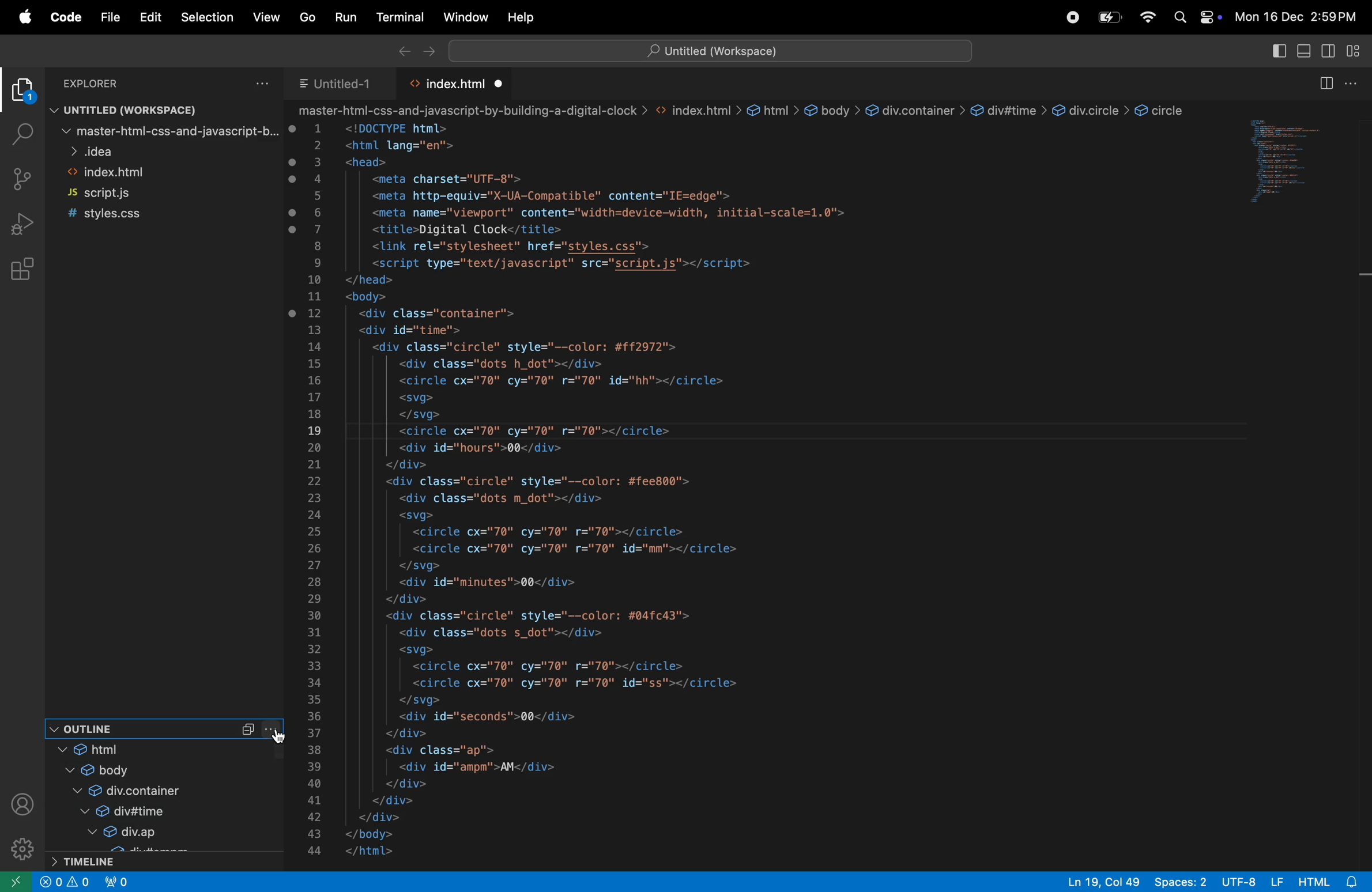 Image resolution: width=1372 pixels, height=892 pixels. What do you see at coordinates (1355, 82) in the screenshot?
I see `options` at bounding box center [1355, 82].